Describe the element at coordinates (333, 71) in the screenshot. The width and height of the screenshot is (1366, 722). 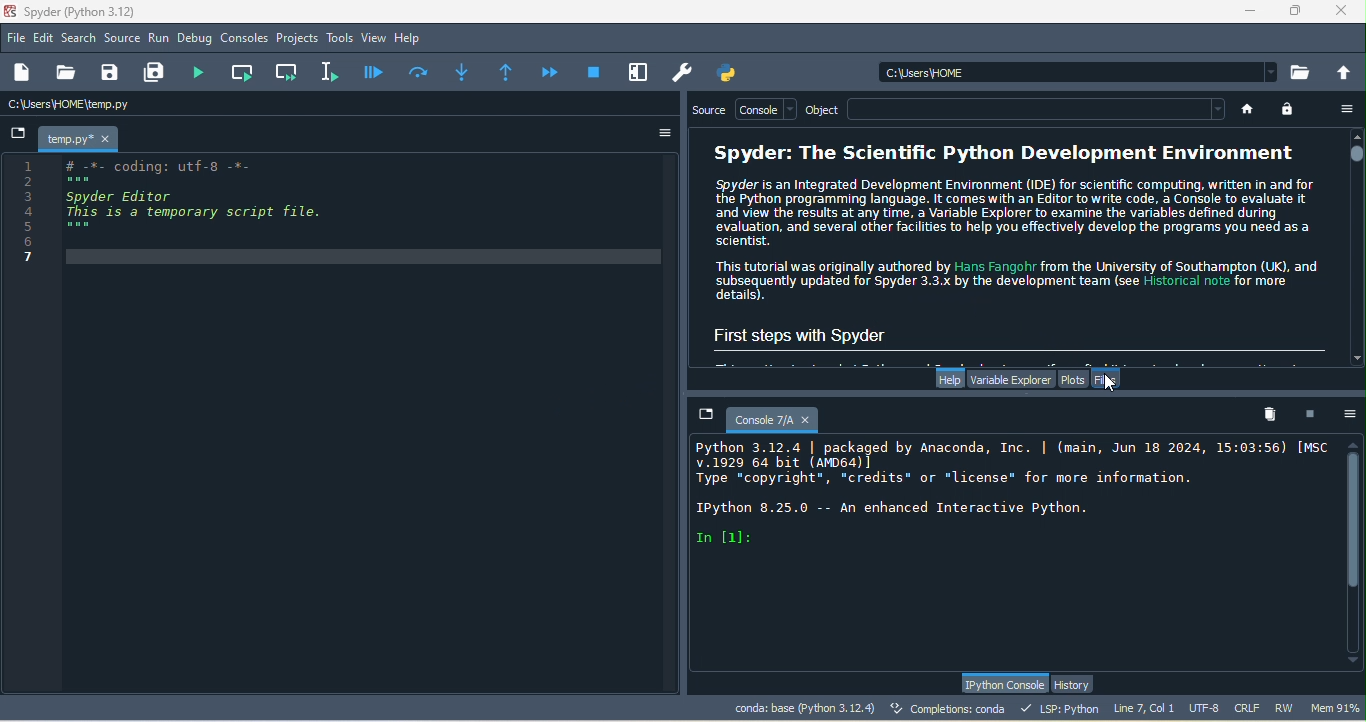
I see `current line` at that location.